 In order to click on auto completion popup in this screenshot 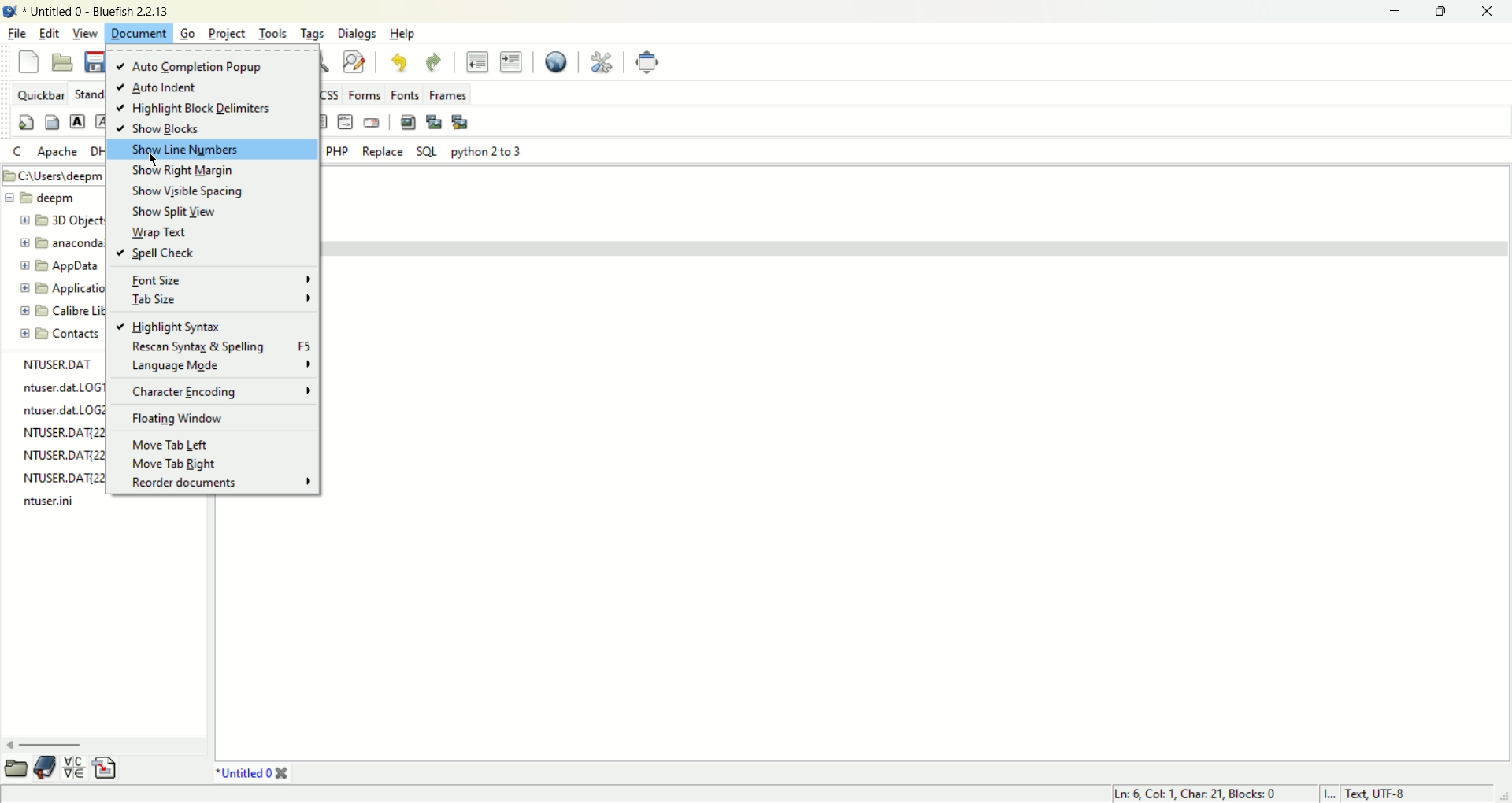, I will do `click(191, 67)`.